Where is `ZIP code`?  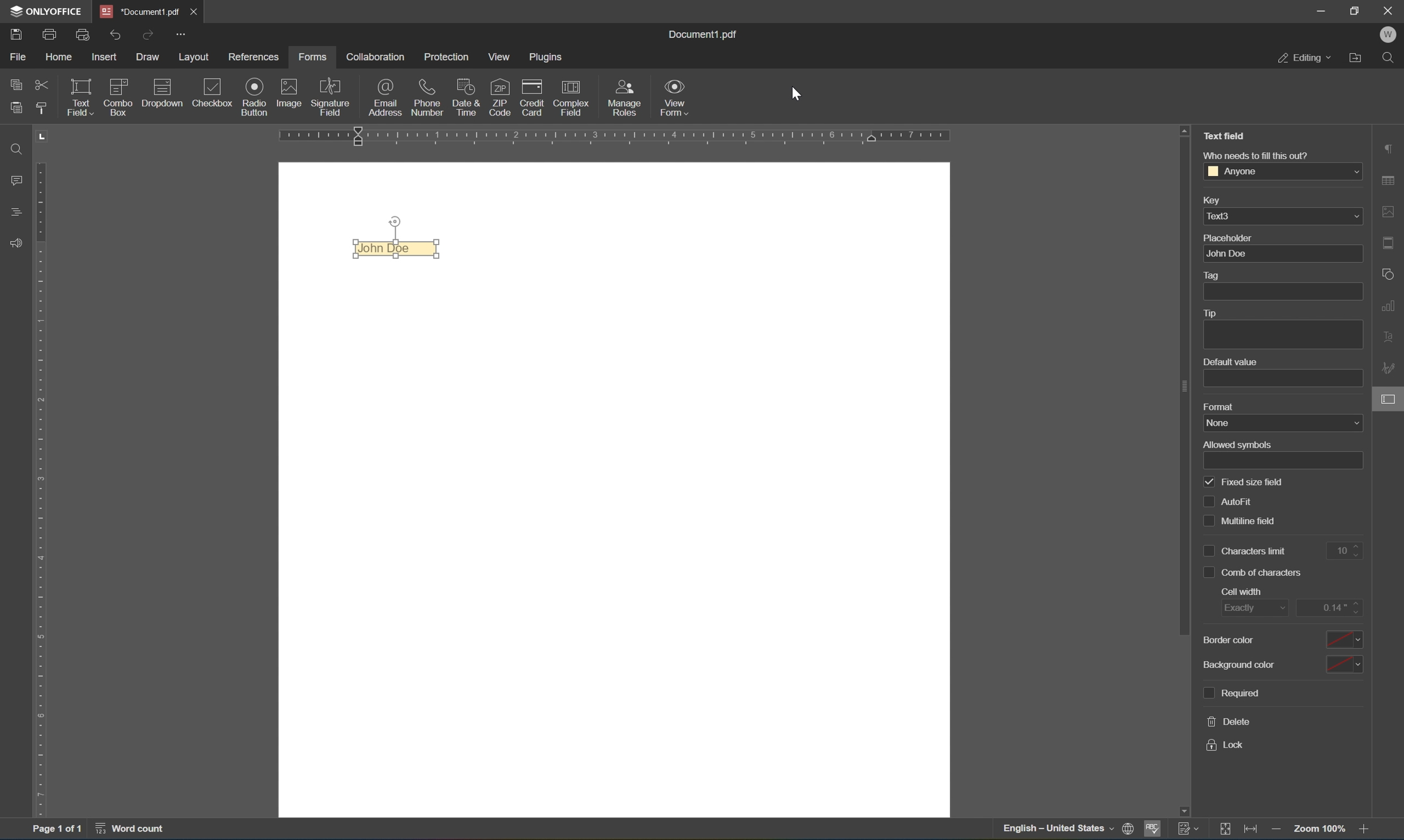
ZIP code is located at coordinates (499, 96).